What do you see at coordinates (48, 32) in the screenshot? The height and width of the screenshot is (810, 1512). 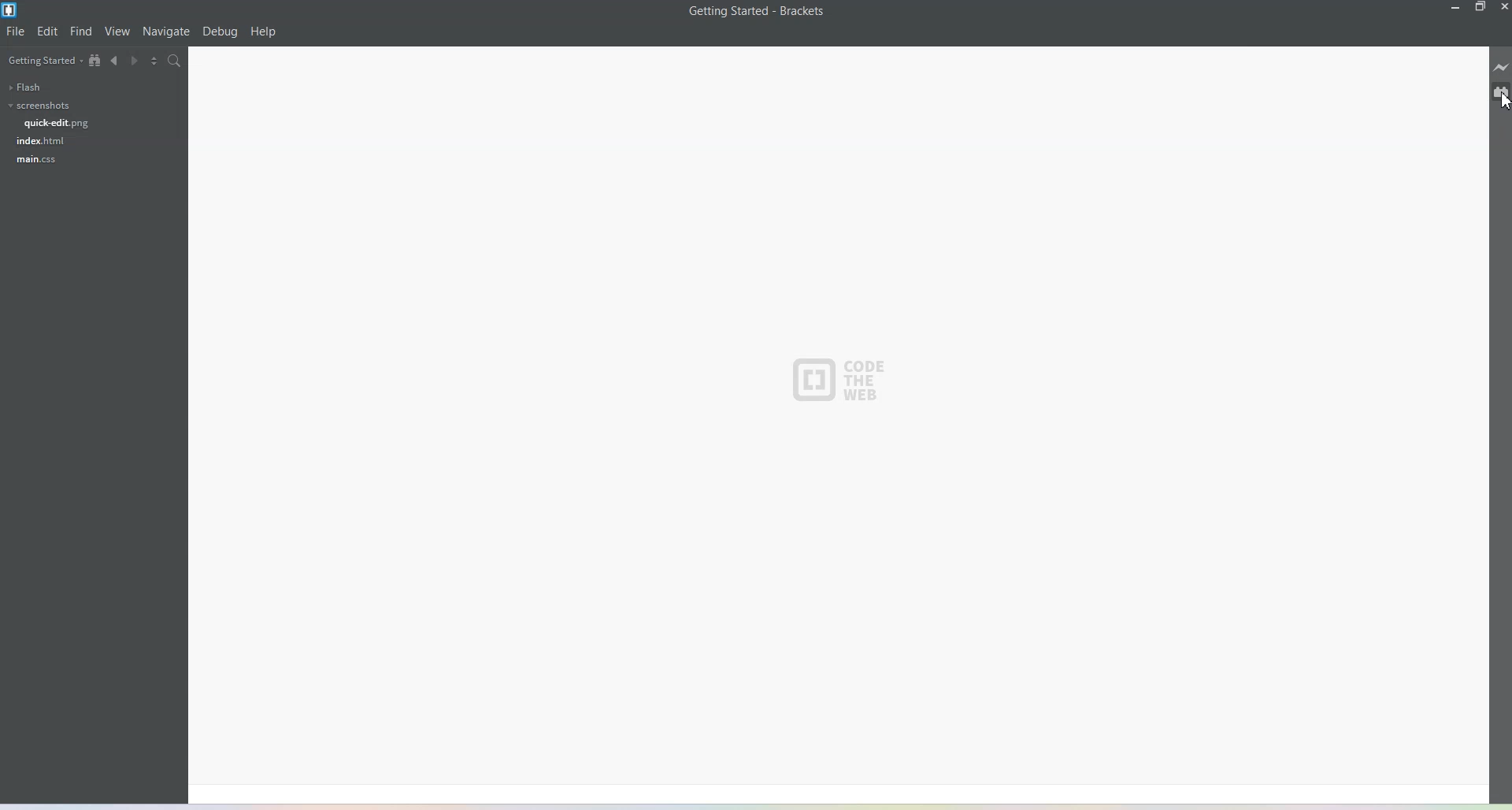 I see `Edit` at bounding box center [48, 32].